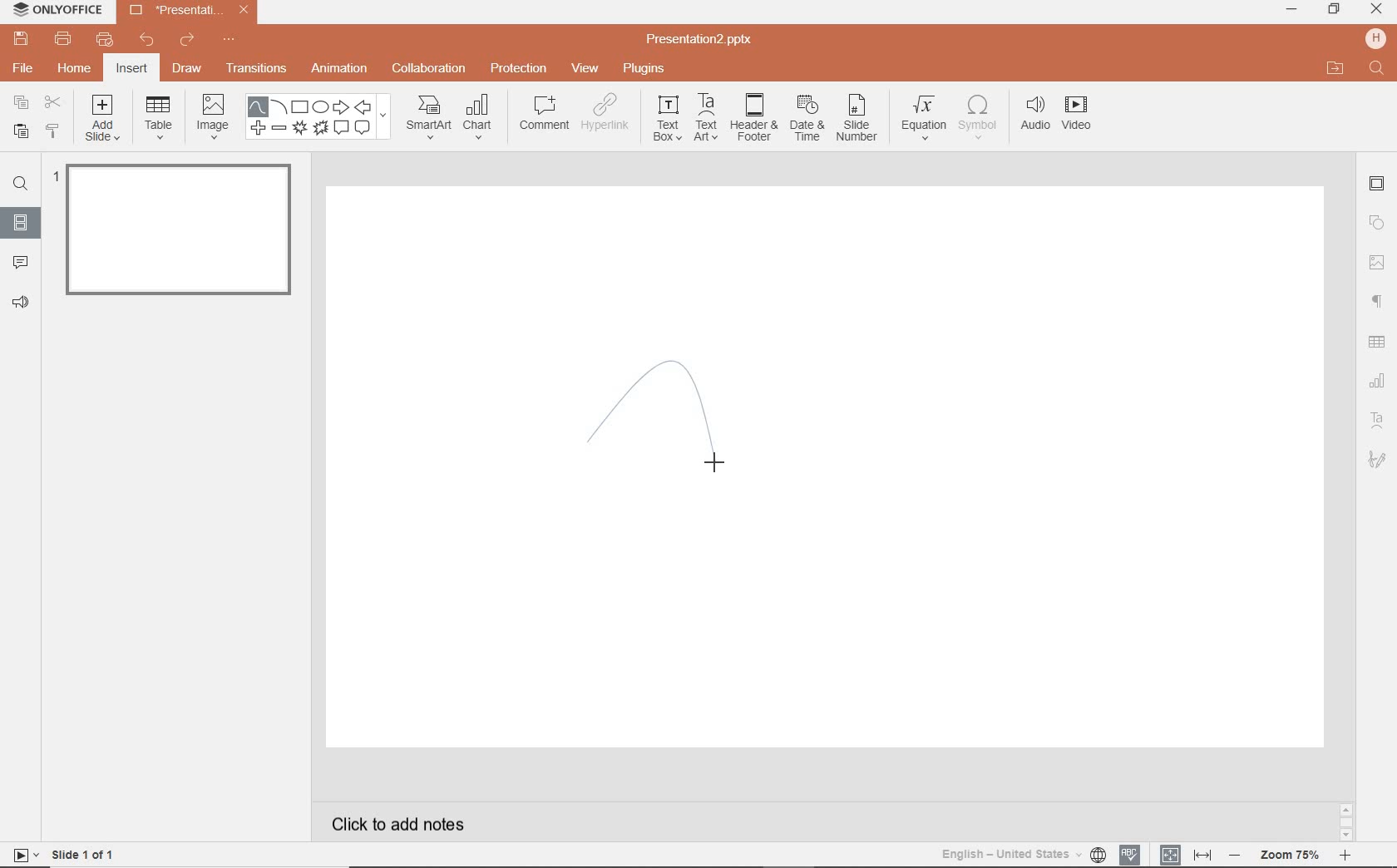 Image resolution: width=1397 pixels, height=868 pixels. Describe the element at coordinates (857, 122) in the screenshot. I see `SLIDE NUMBER` at that location.